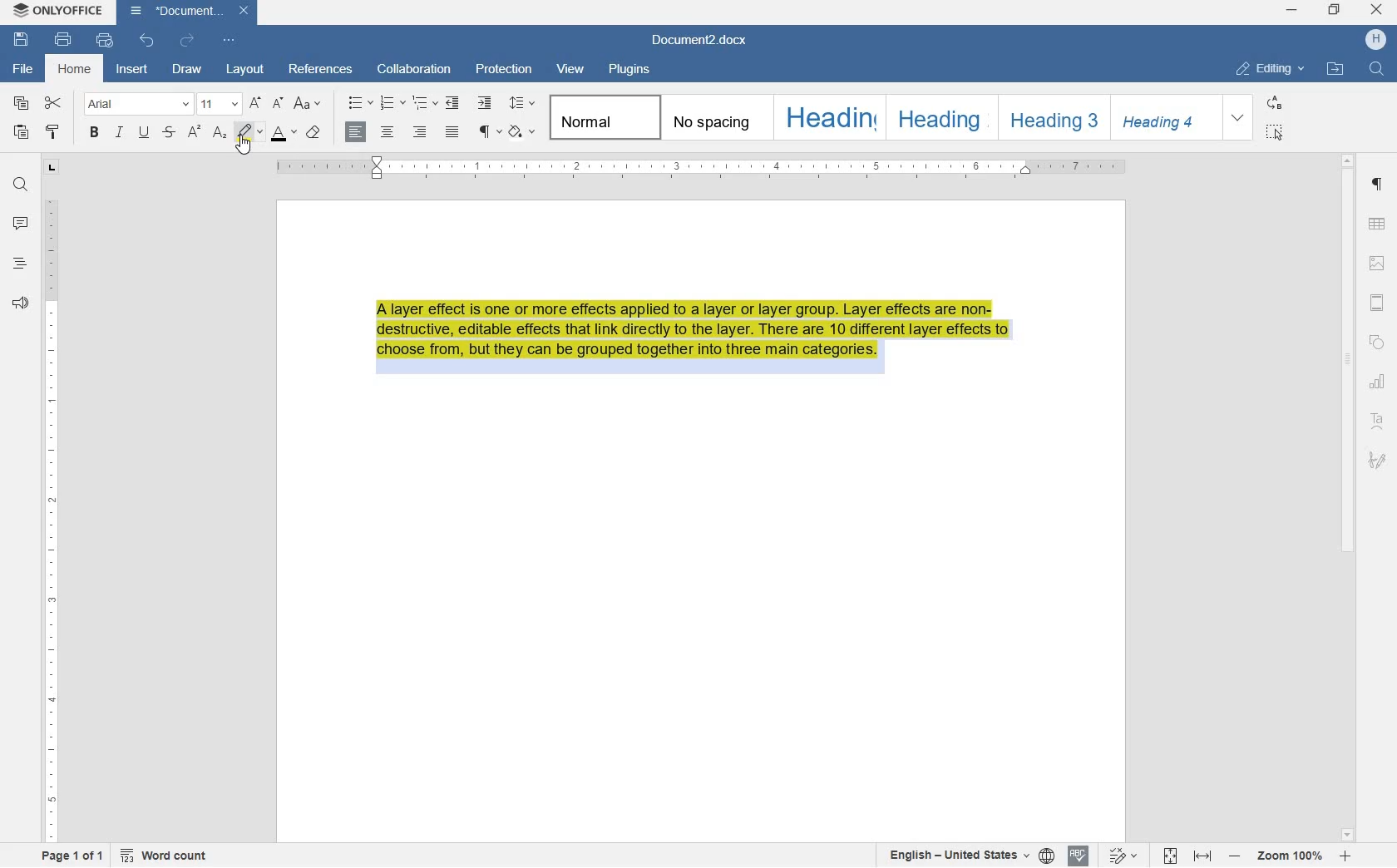  I want to click on LAYOUT, so click(245, 71).